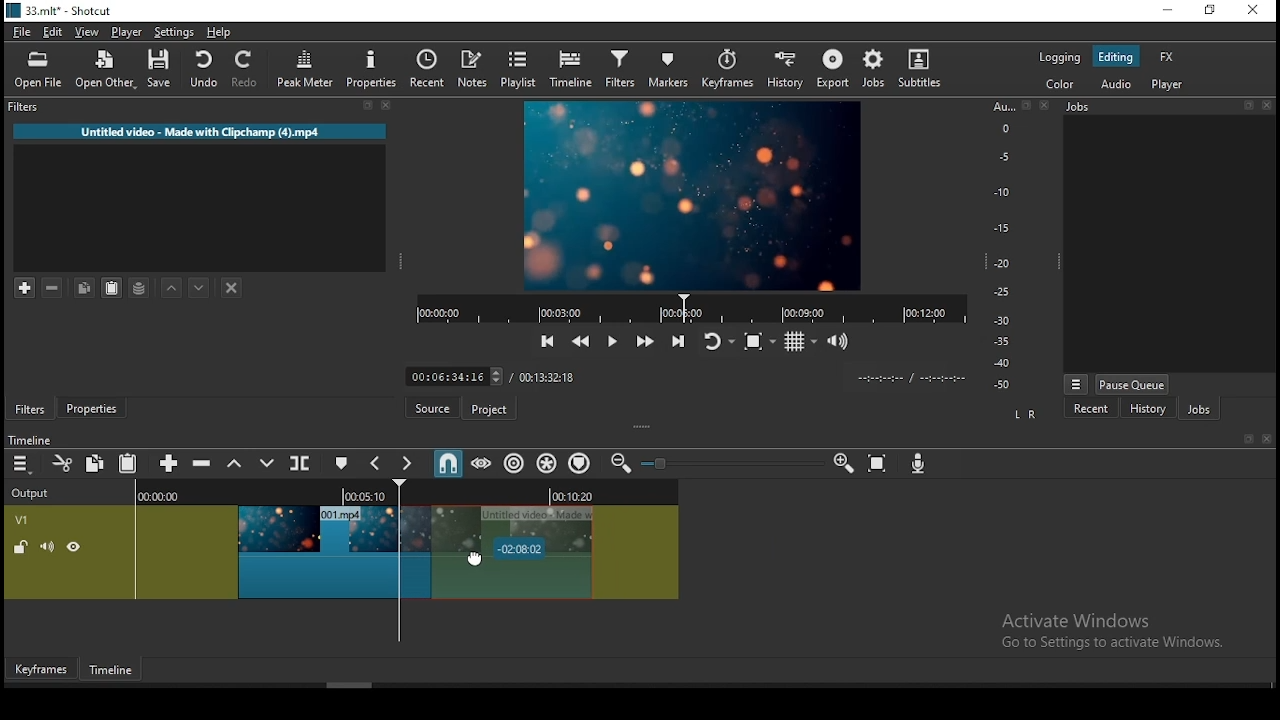  Describe the element at coordinates (579, 463) in the screenshot. I see `ripple markers` at that location.